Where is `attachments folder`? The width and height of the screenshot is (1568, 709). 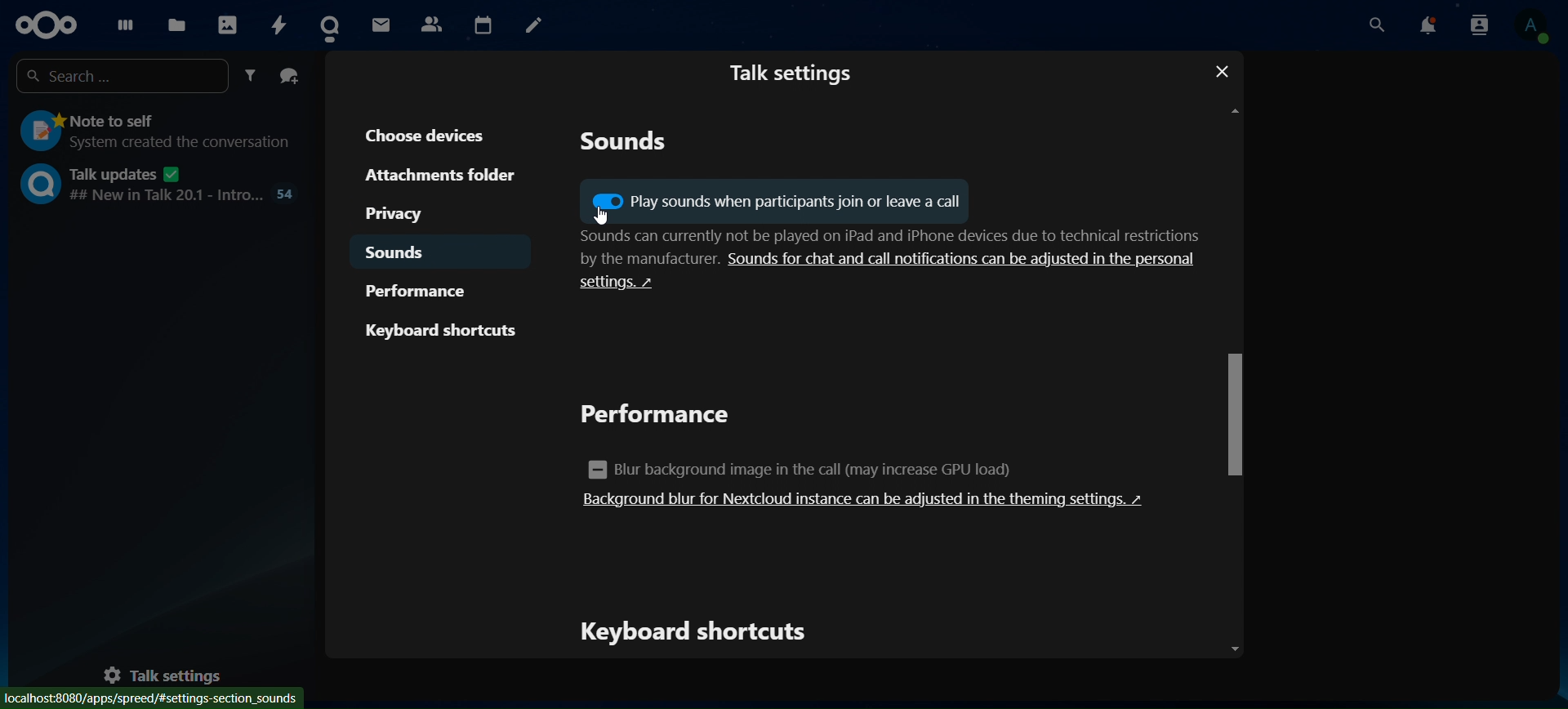 attachments folder is located at coordinates (440, 176).